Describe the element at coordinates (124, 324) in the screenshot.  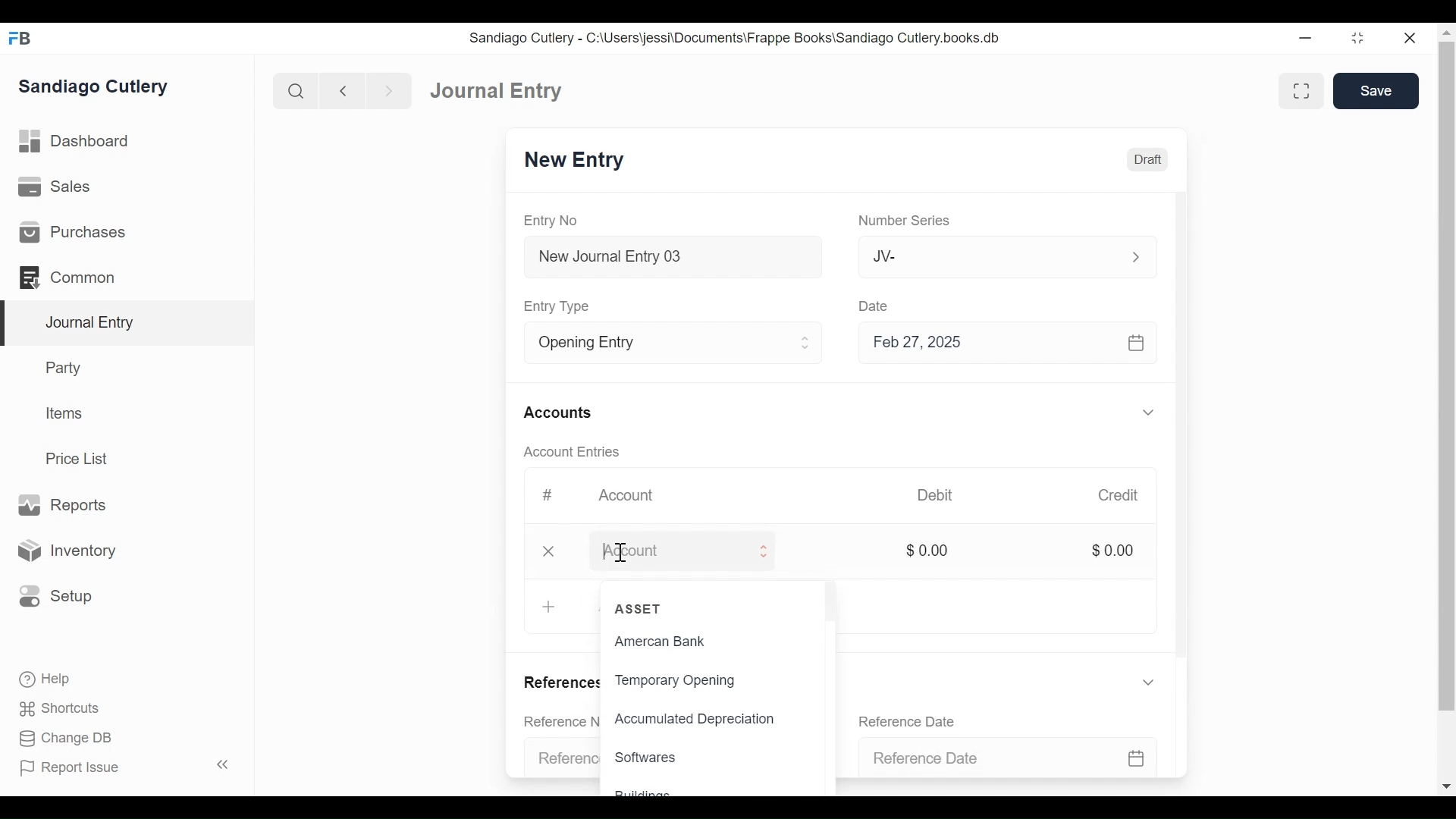
I see `Journal Entry` at that location.